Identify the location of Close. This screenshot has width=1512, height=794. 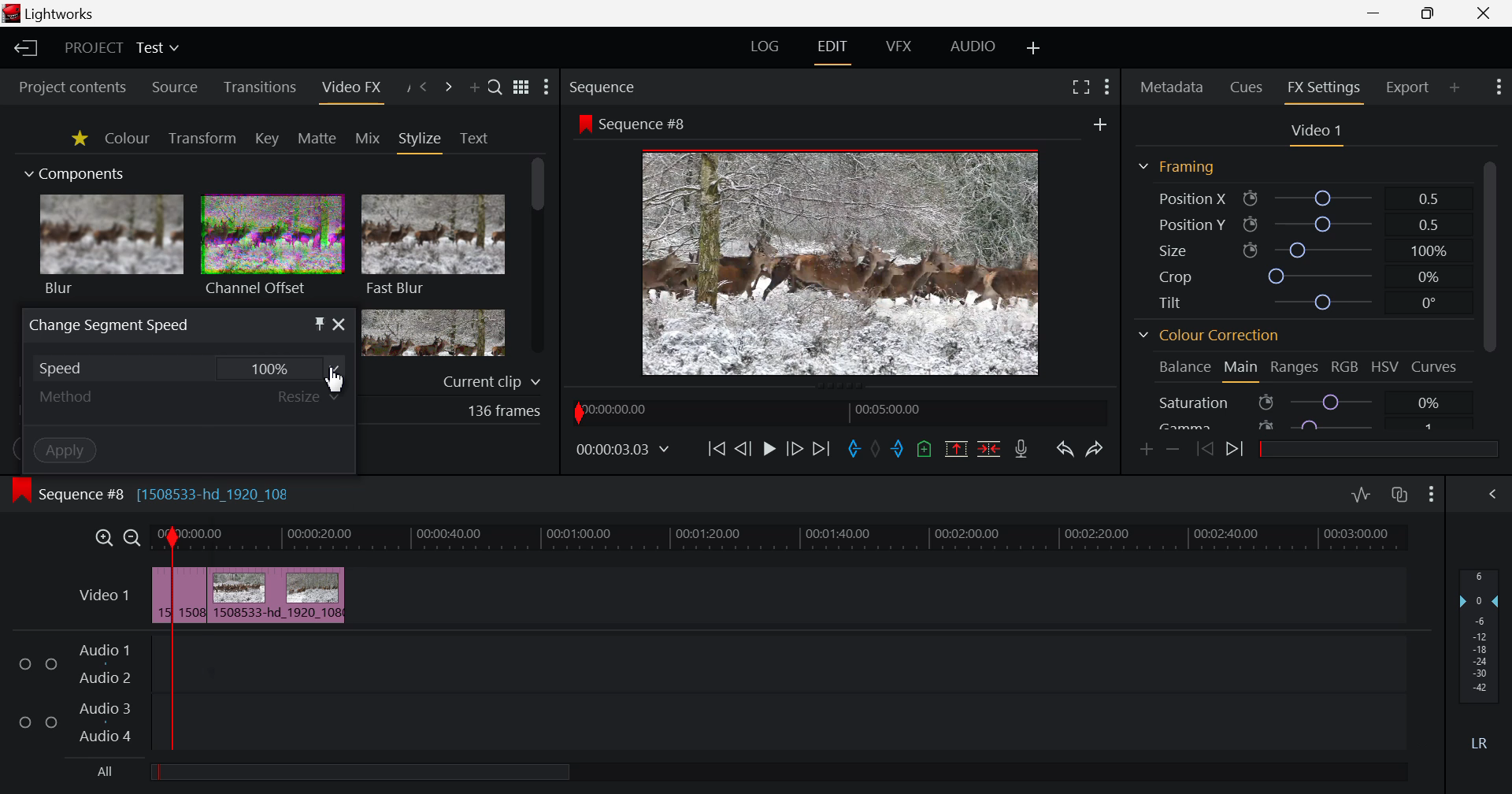
(1487, 13).